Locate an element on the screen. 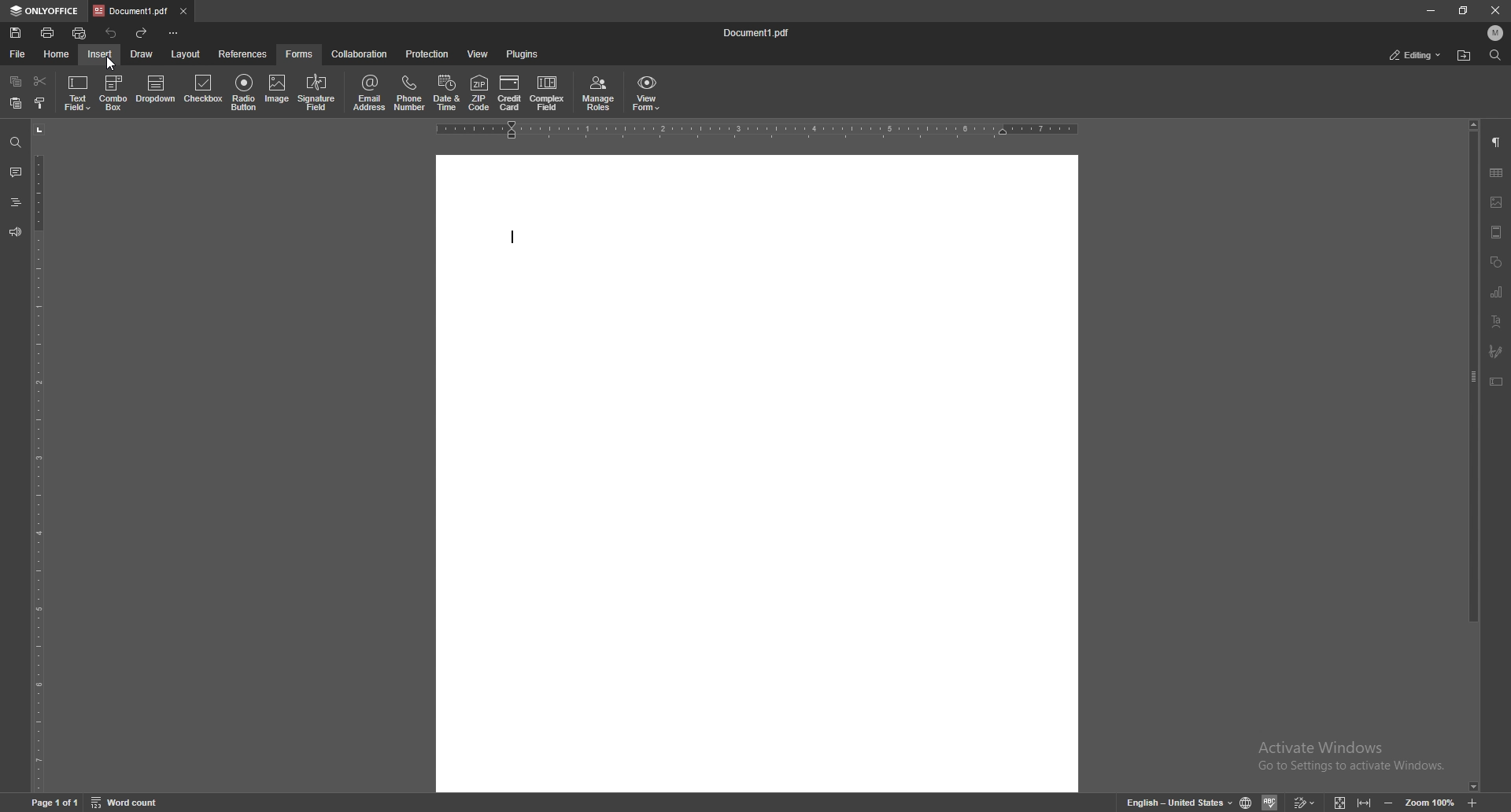 Image resolution: width=1511 pixels, height=812 pixels. fit to width is located at coordinates (1364, 802).